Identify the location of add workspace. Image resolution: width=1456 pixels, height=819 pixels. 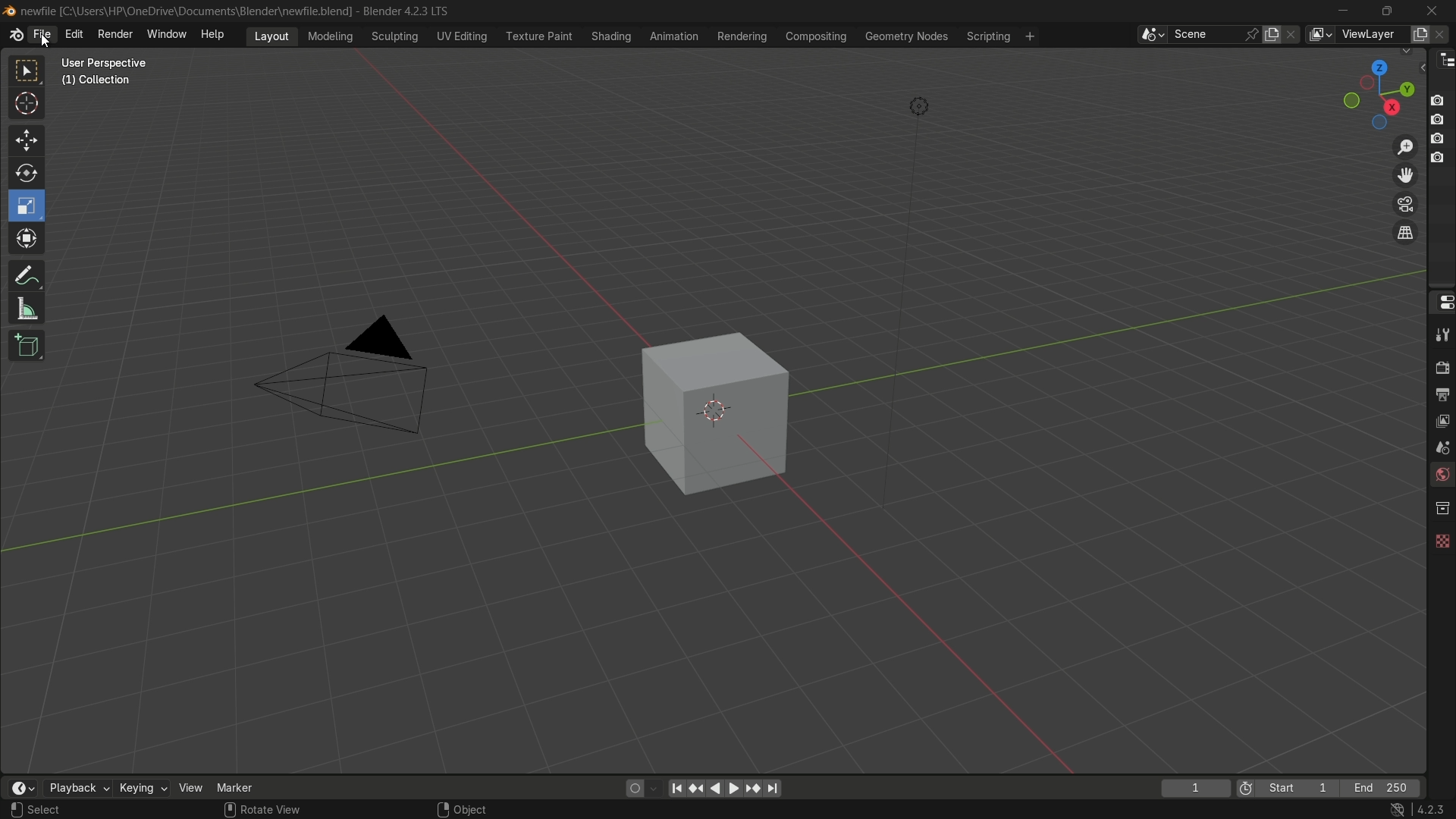
(1028, 36).